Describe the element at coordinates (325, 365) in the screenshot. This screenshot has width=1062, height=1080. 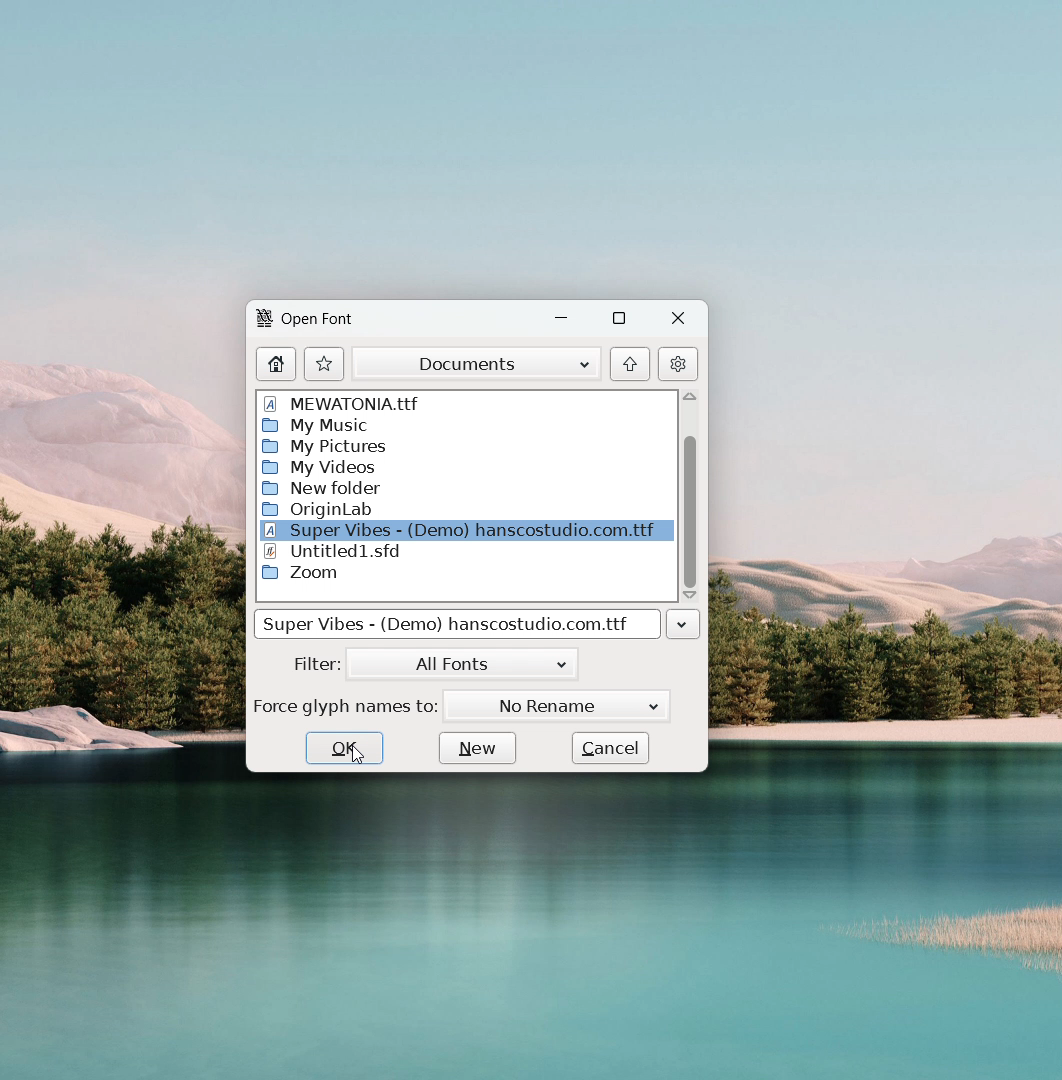
I see `actions` at that location.